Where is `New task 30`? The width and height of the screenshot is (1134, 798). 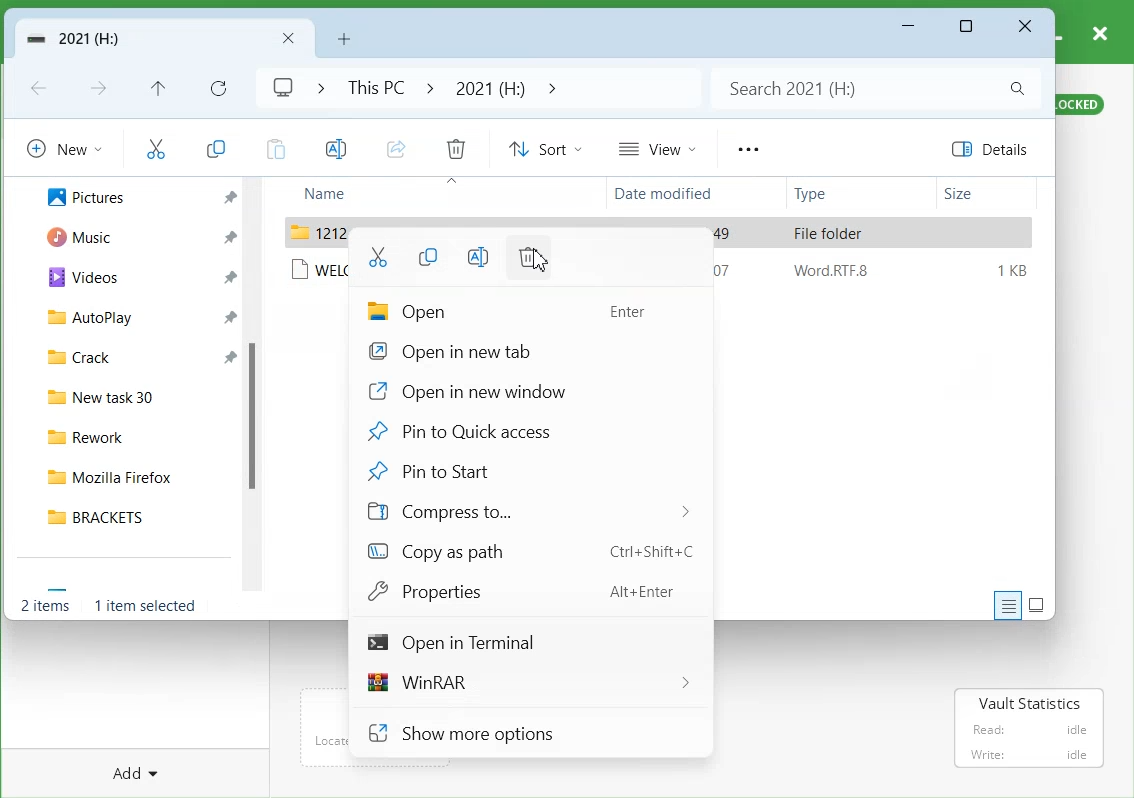
New task 30 is located at coordinates (136, 398).